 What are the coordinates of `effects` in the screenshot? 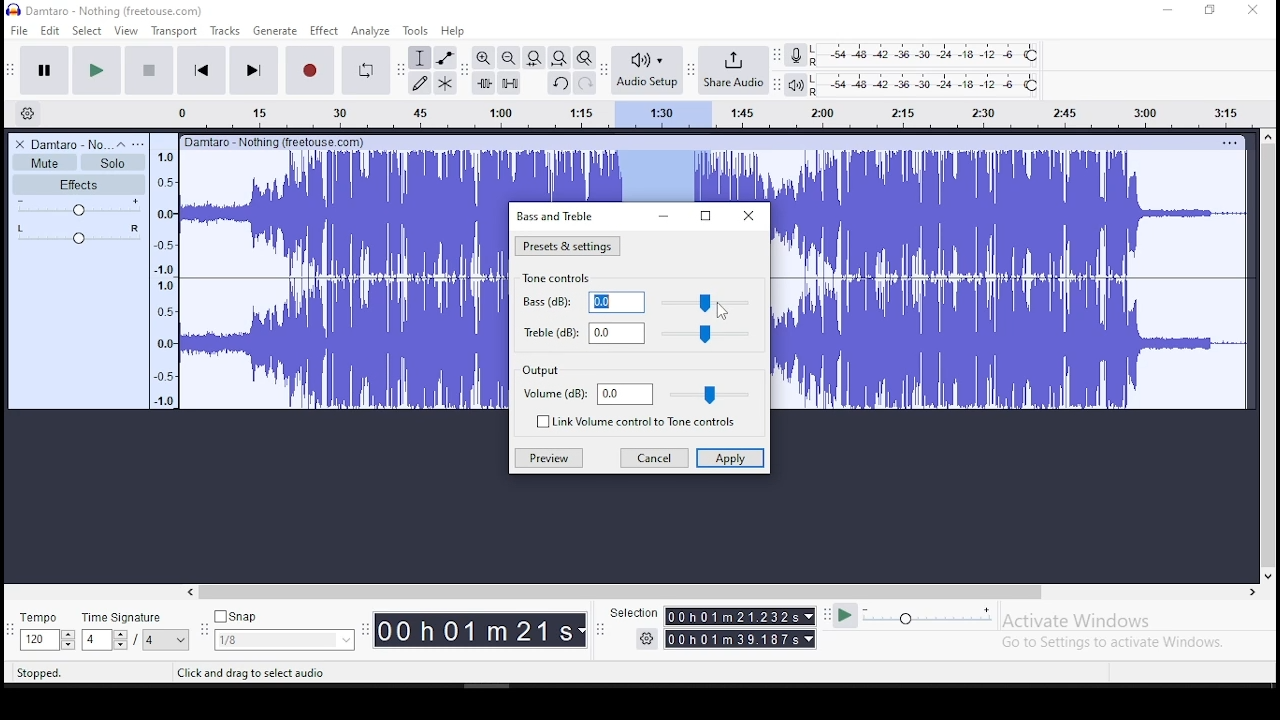 It's located at (79, 184).